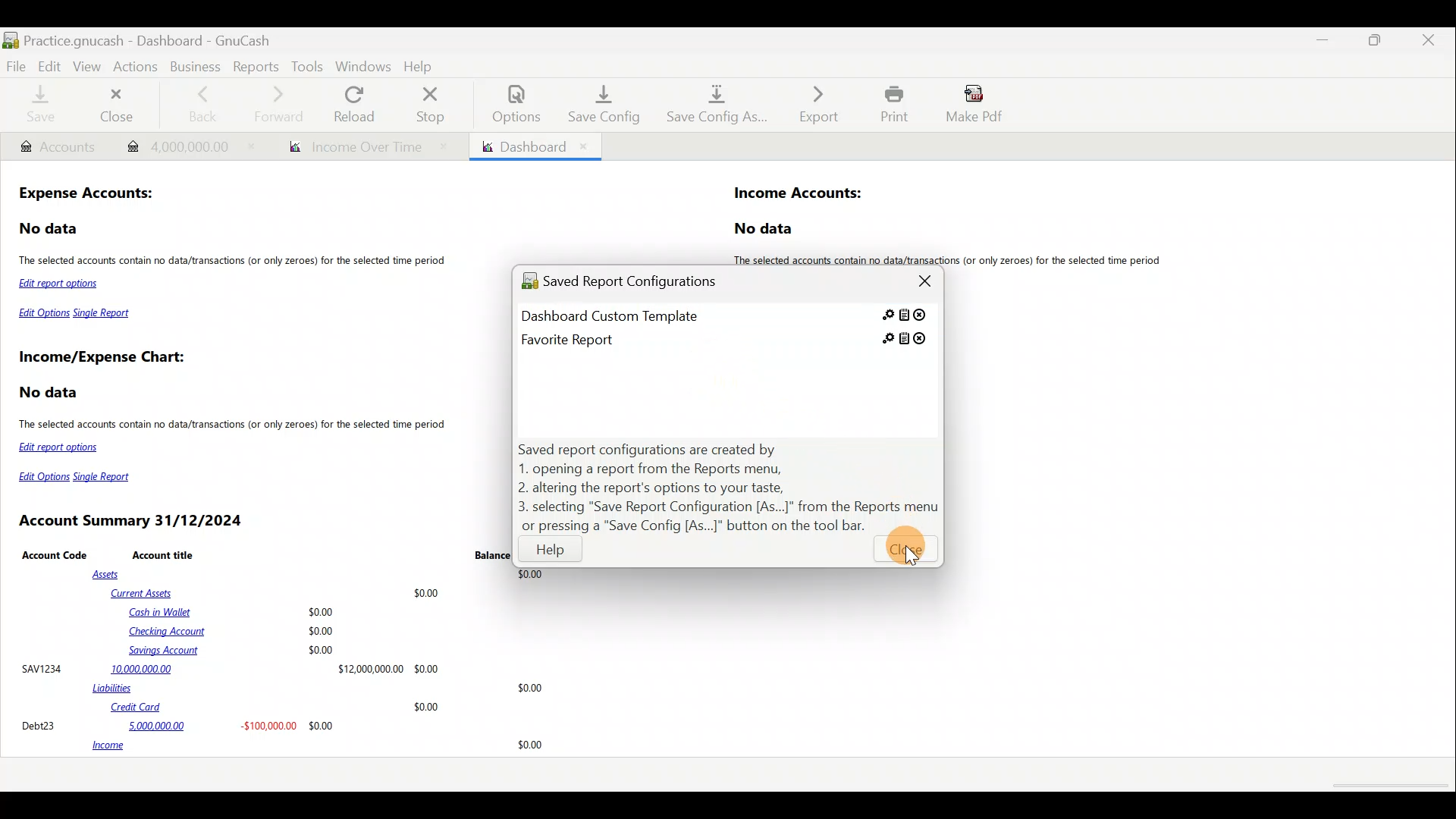 This screenshot has width=1456, height=819. I want to click on Edit, so click(49, 65).